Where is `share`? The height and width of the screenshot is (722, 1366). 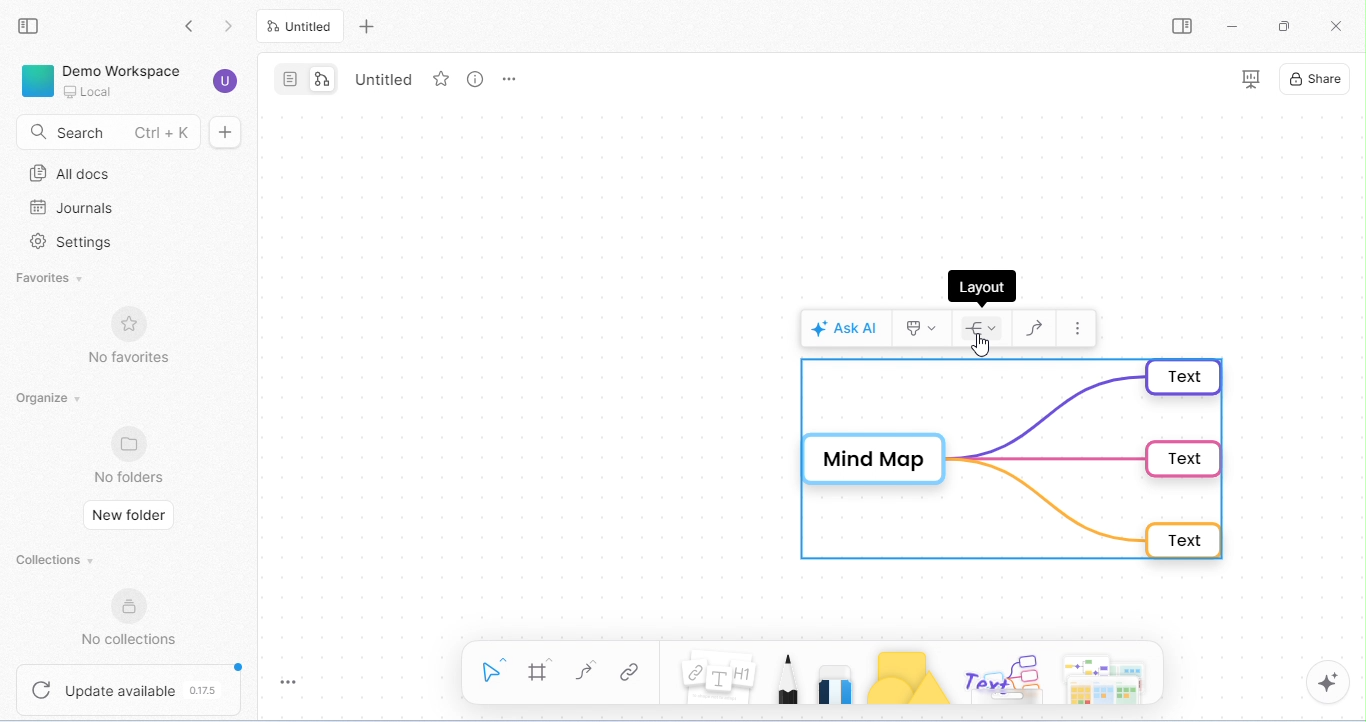 share is located at coordinates (1319, 79).